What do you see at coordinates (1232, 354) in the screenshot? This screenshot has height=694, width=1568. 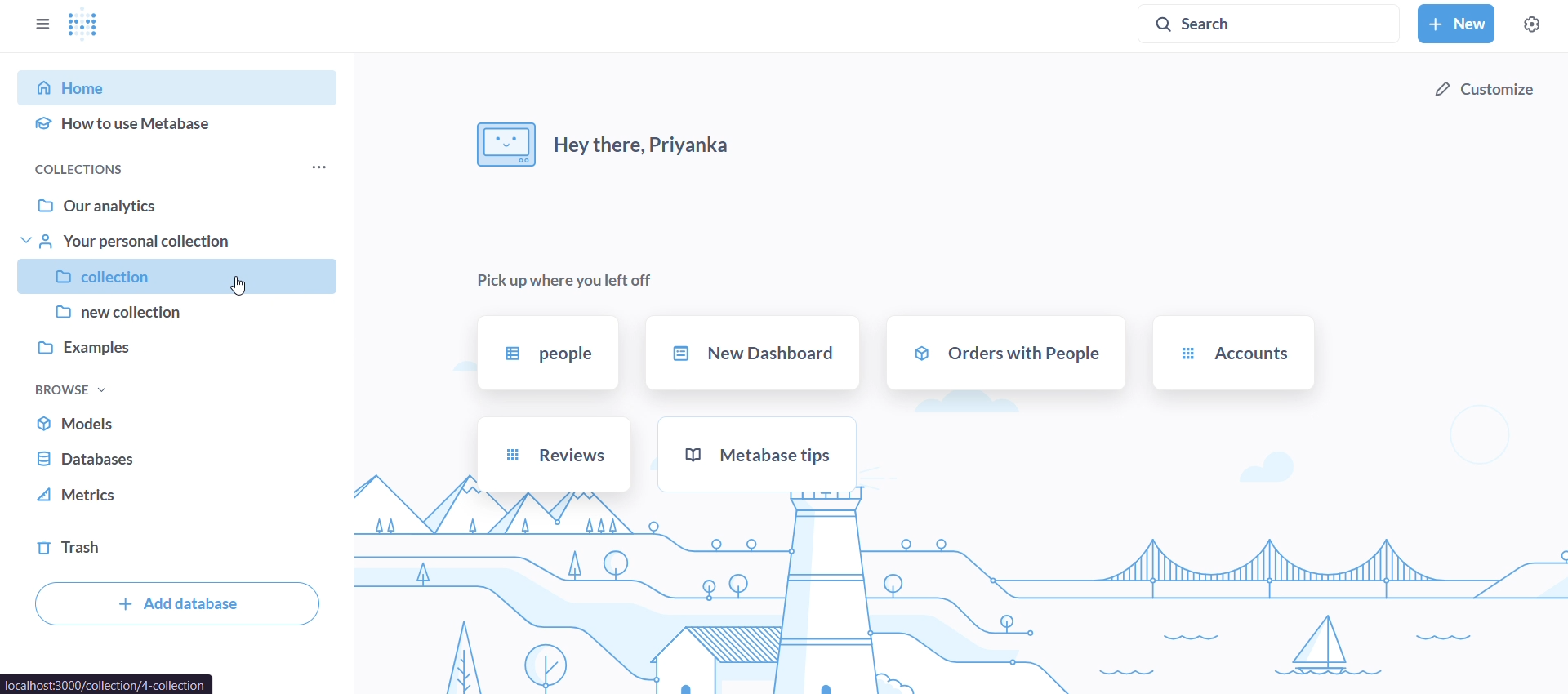 I see `accounts` at bounding box center [1232, 354].